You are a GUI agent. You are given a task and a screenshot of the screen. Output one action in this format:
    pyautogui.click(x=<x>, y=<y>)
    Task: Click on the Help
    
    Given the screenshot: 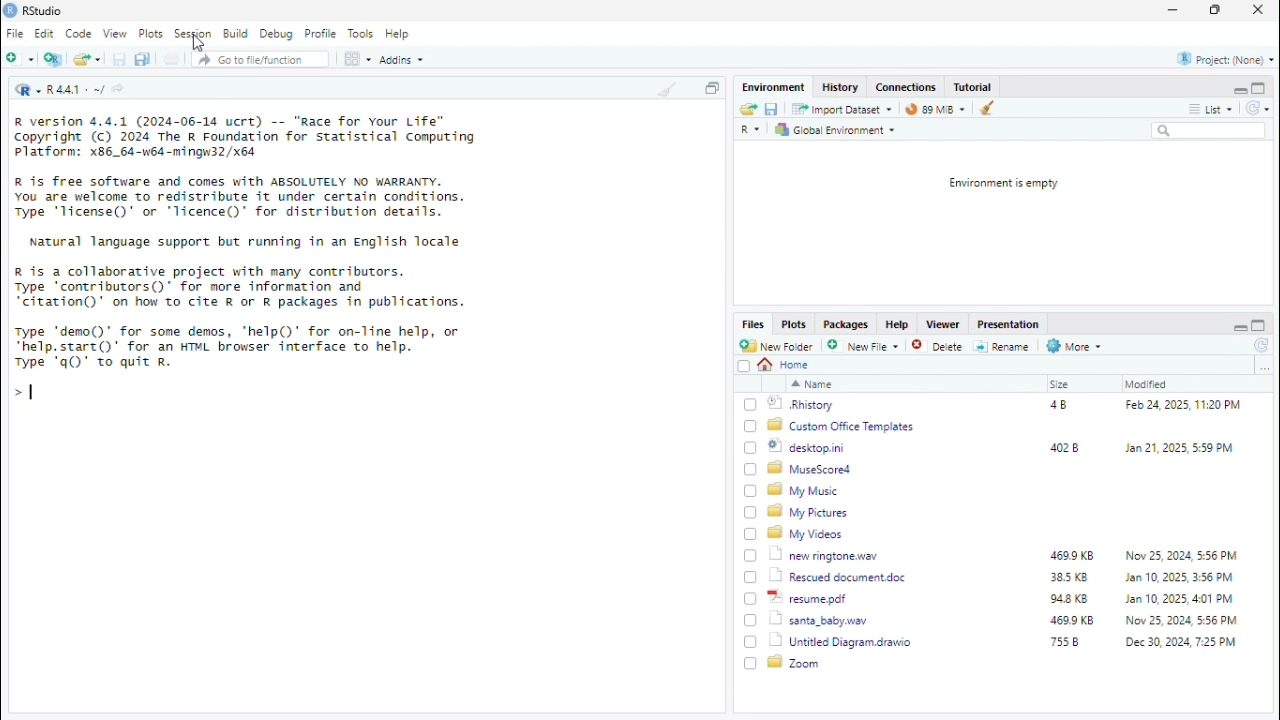 What is the action you would take?
    pyautogui.click(x=399, y=34)
    